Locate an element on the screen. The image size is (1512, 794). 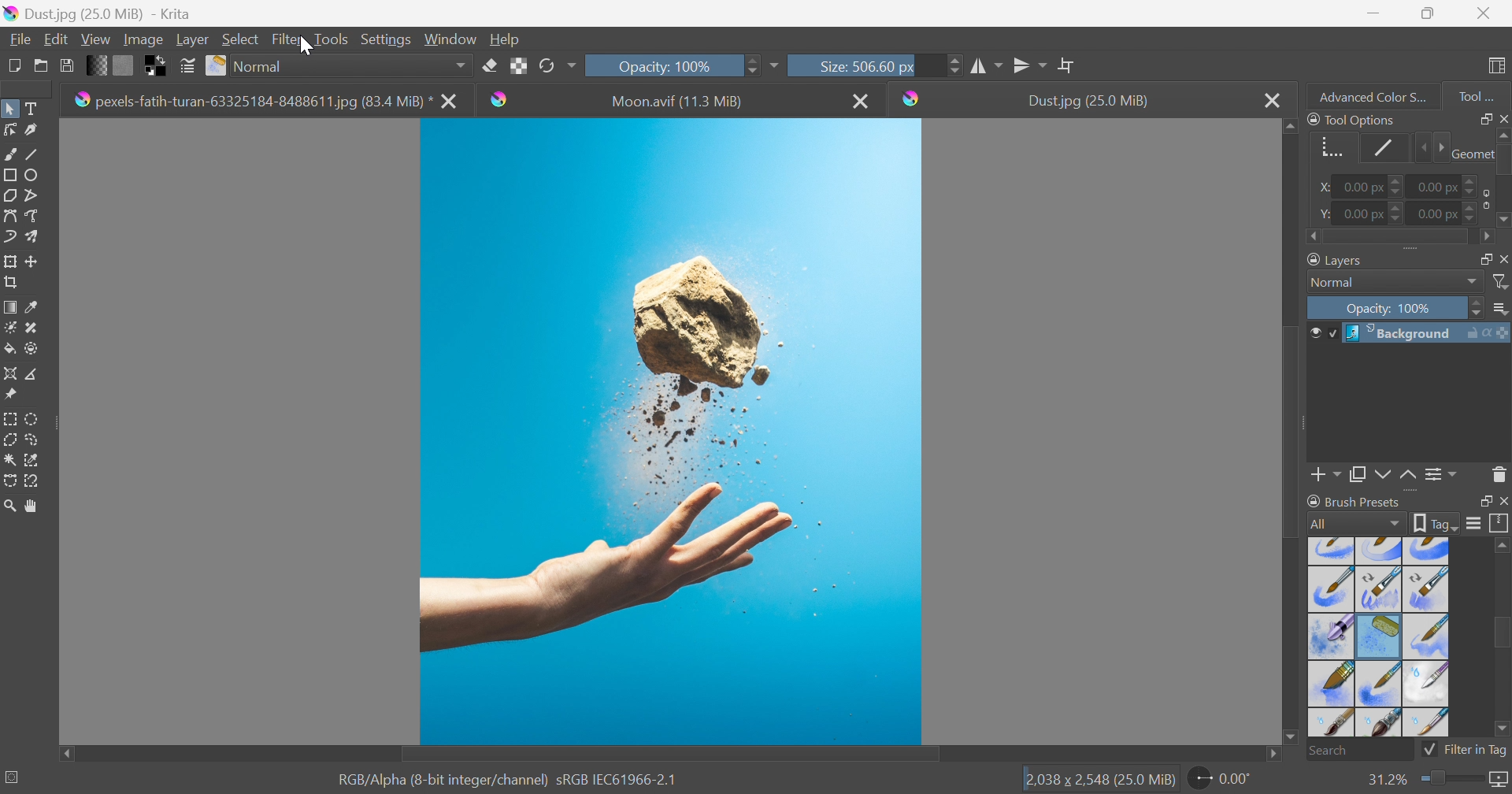
View or change the layer properties is located at coordinates (1437, 475).